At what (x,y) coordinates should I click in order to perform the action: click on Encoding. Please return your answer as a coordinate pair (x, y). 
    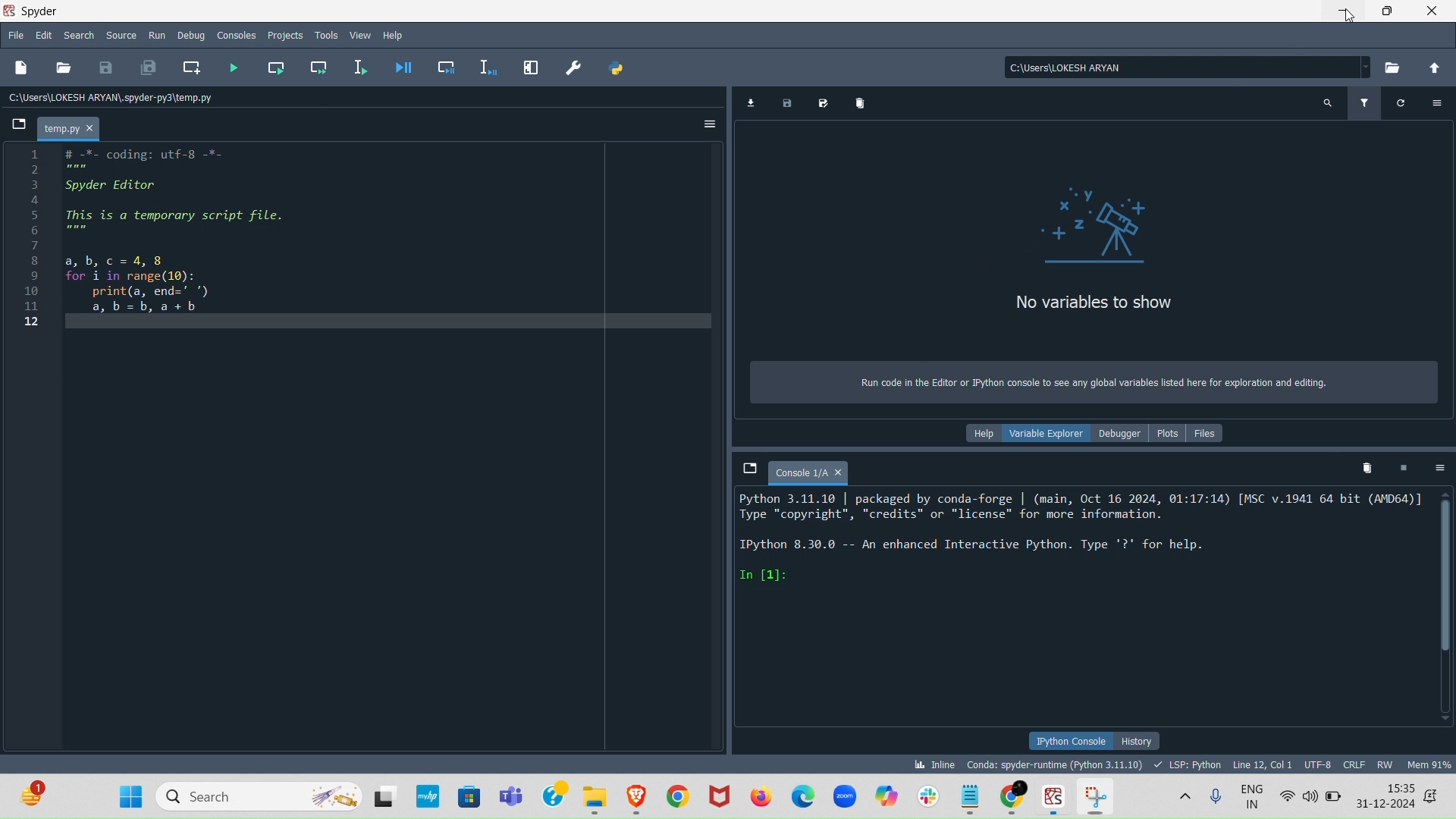
    Looking at the image, I should click on (1319, 764).